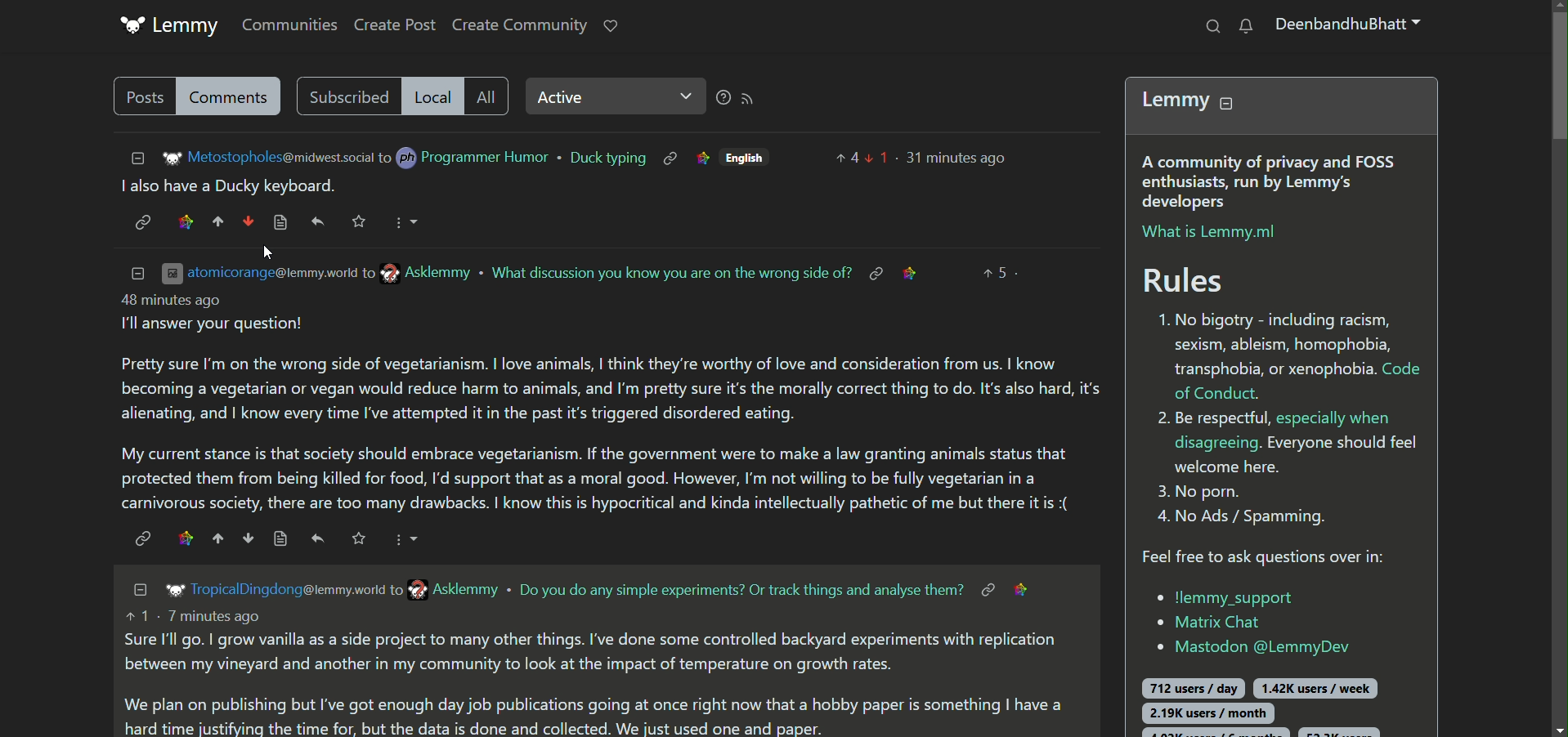  I want to click on hyperlink, so click(141, 223).